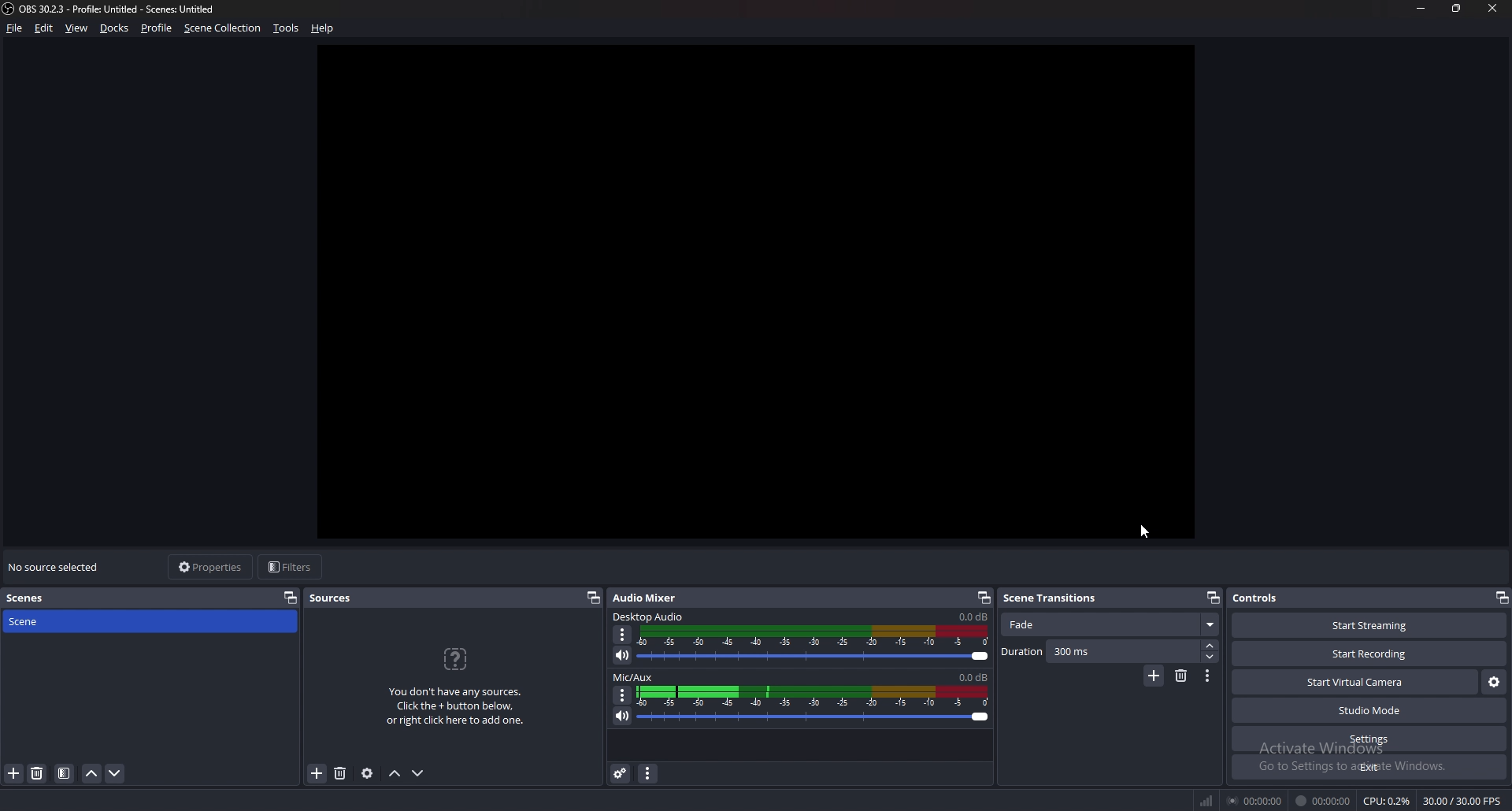 The height and width of the screenshot is (811, 1512). Describe the element at coordinates (9, 10) in the screenshot. I see `OBS LOGO` at that location.